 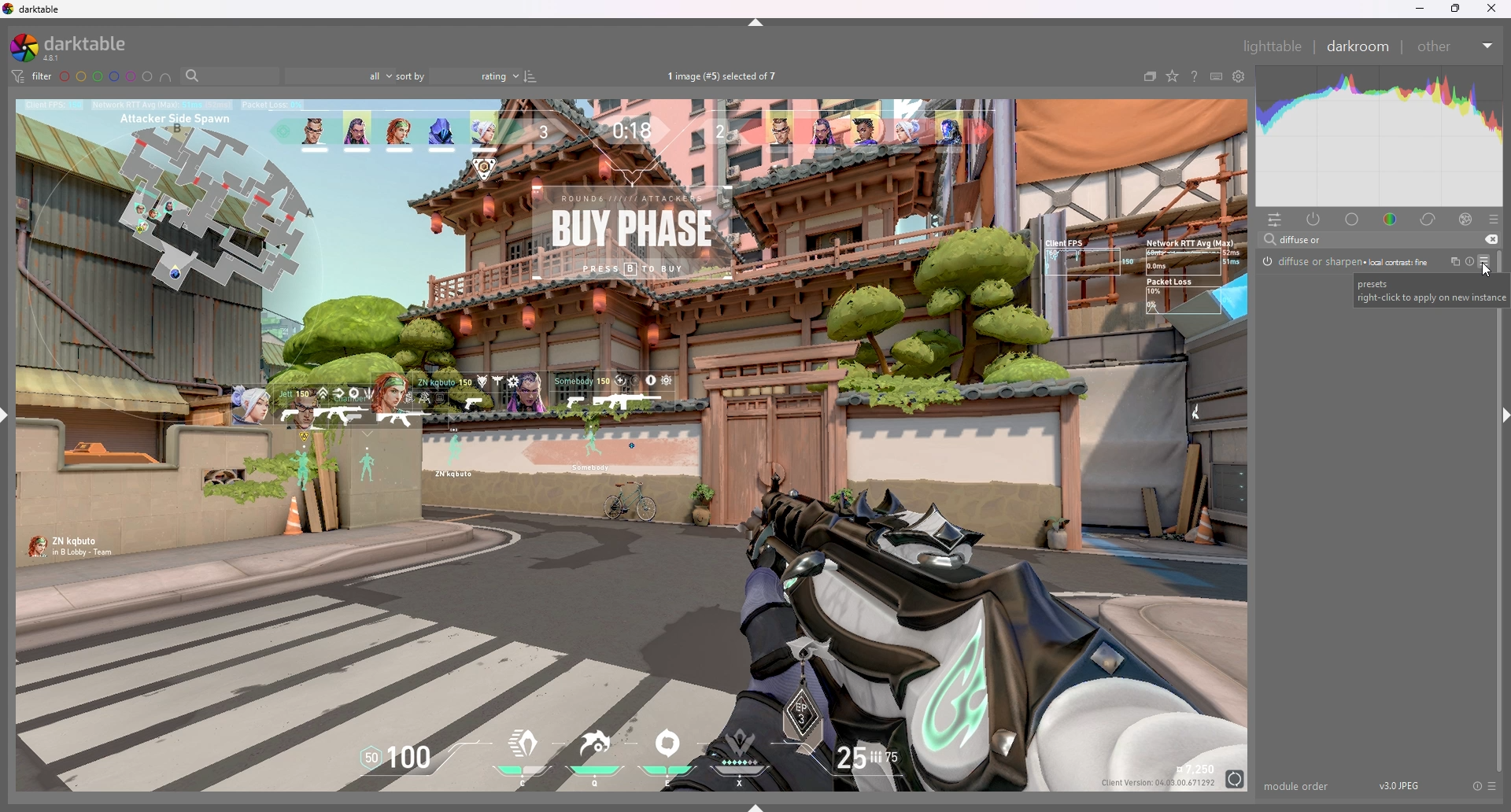 What do you see at coordinates (1346, 260) in the screenshot?
I see `diffuse or sharpen` at bounding box center [1346, 260].